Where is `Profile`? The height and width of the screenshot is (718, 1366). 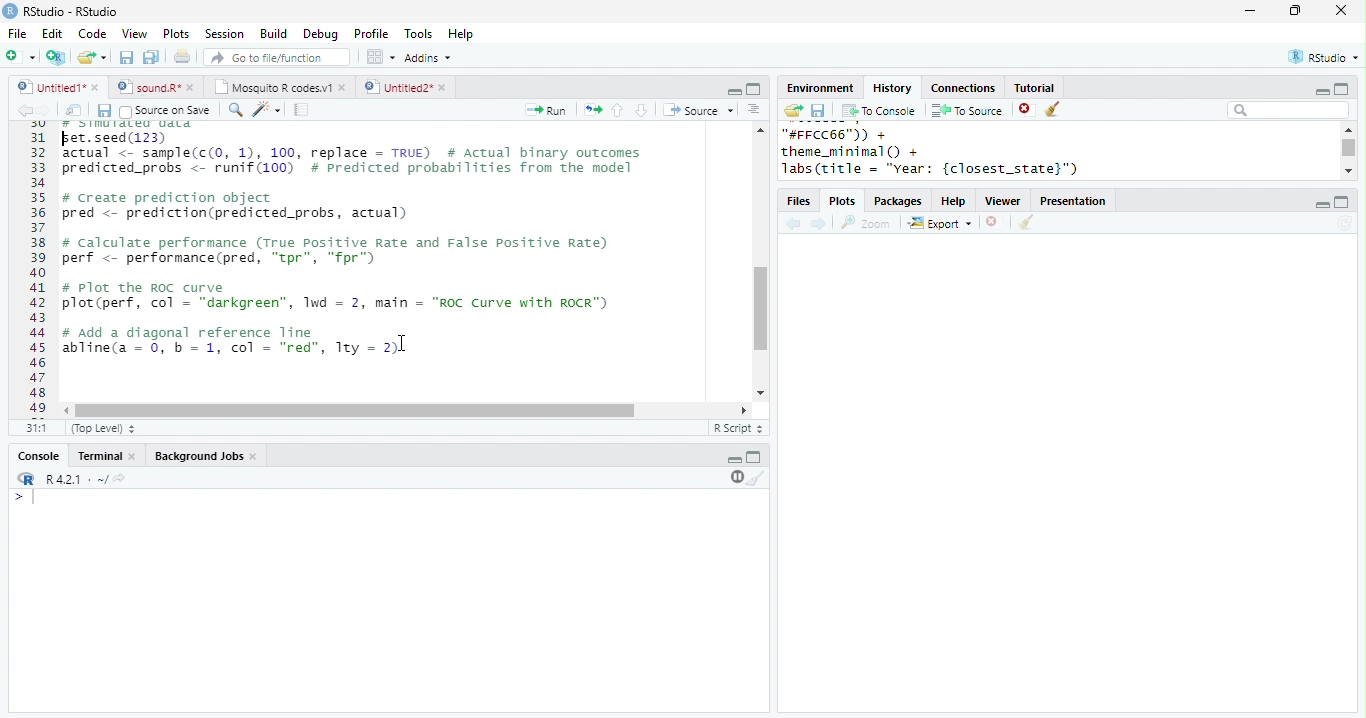
Profile is located at coordinates (371, 33).